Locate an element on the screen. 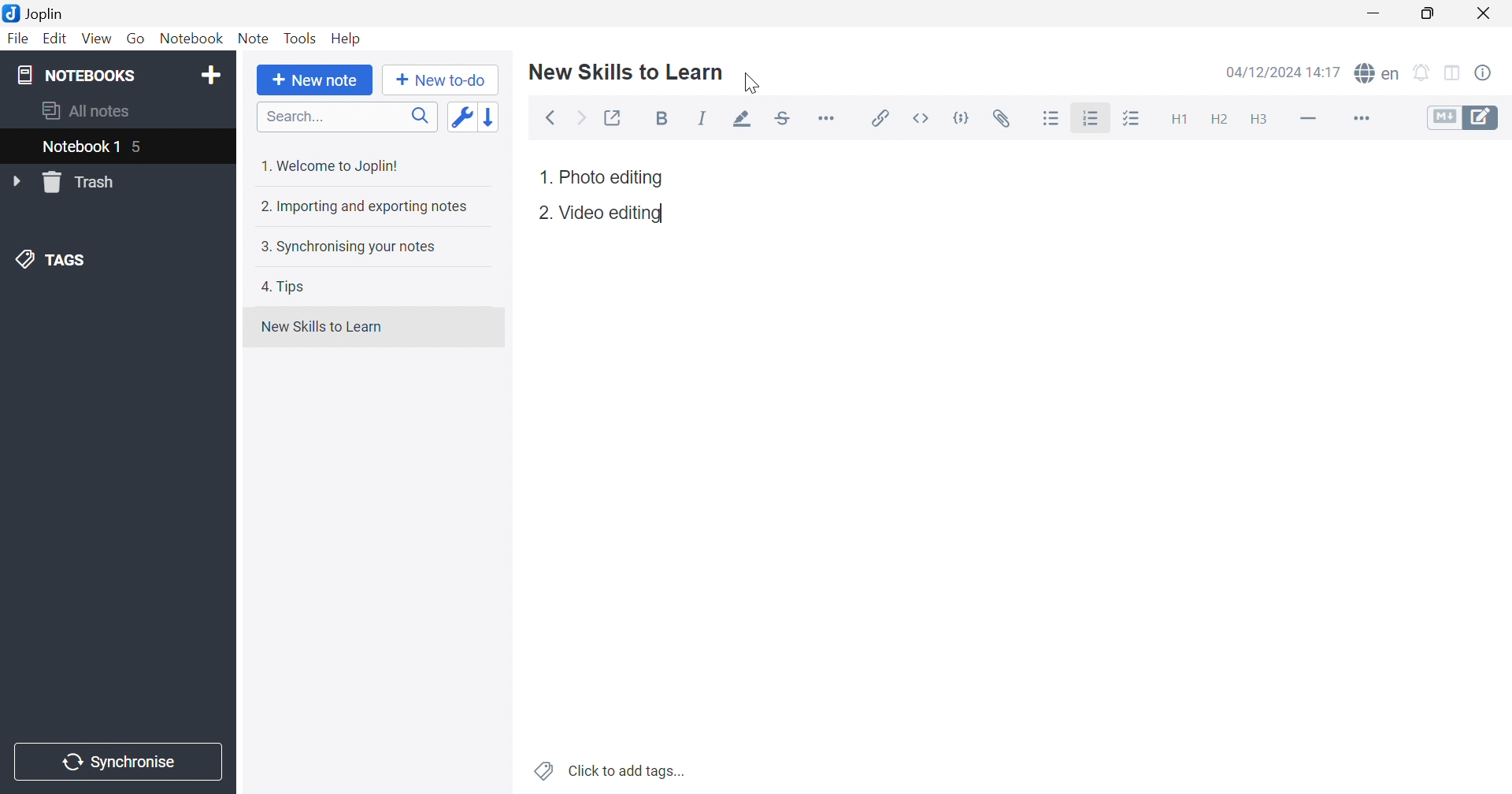  2. is located at coordinates (544, 213).